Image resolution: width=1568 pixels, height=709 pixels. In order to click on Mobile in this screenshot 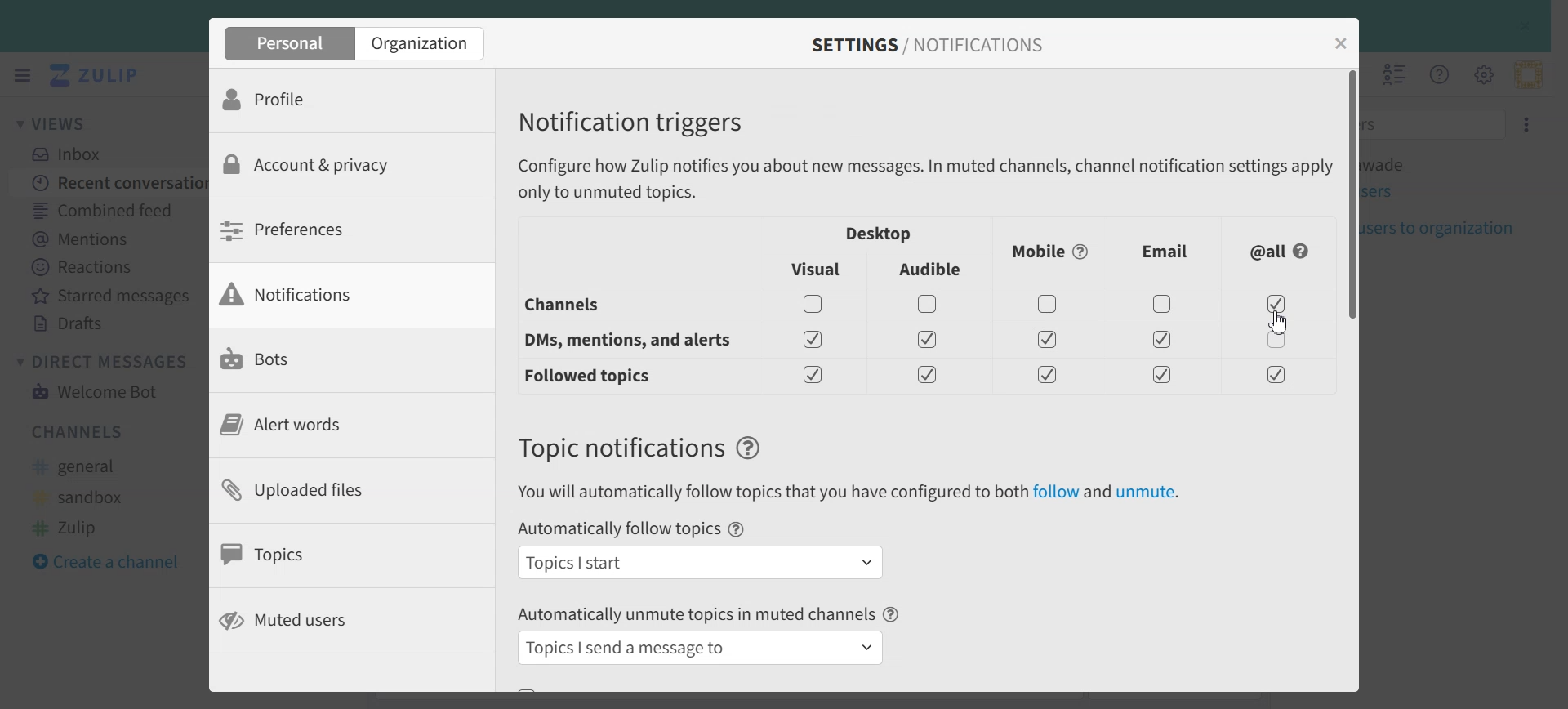, I will do `click(1051, 252)`.